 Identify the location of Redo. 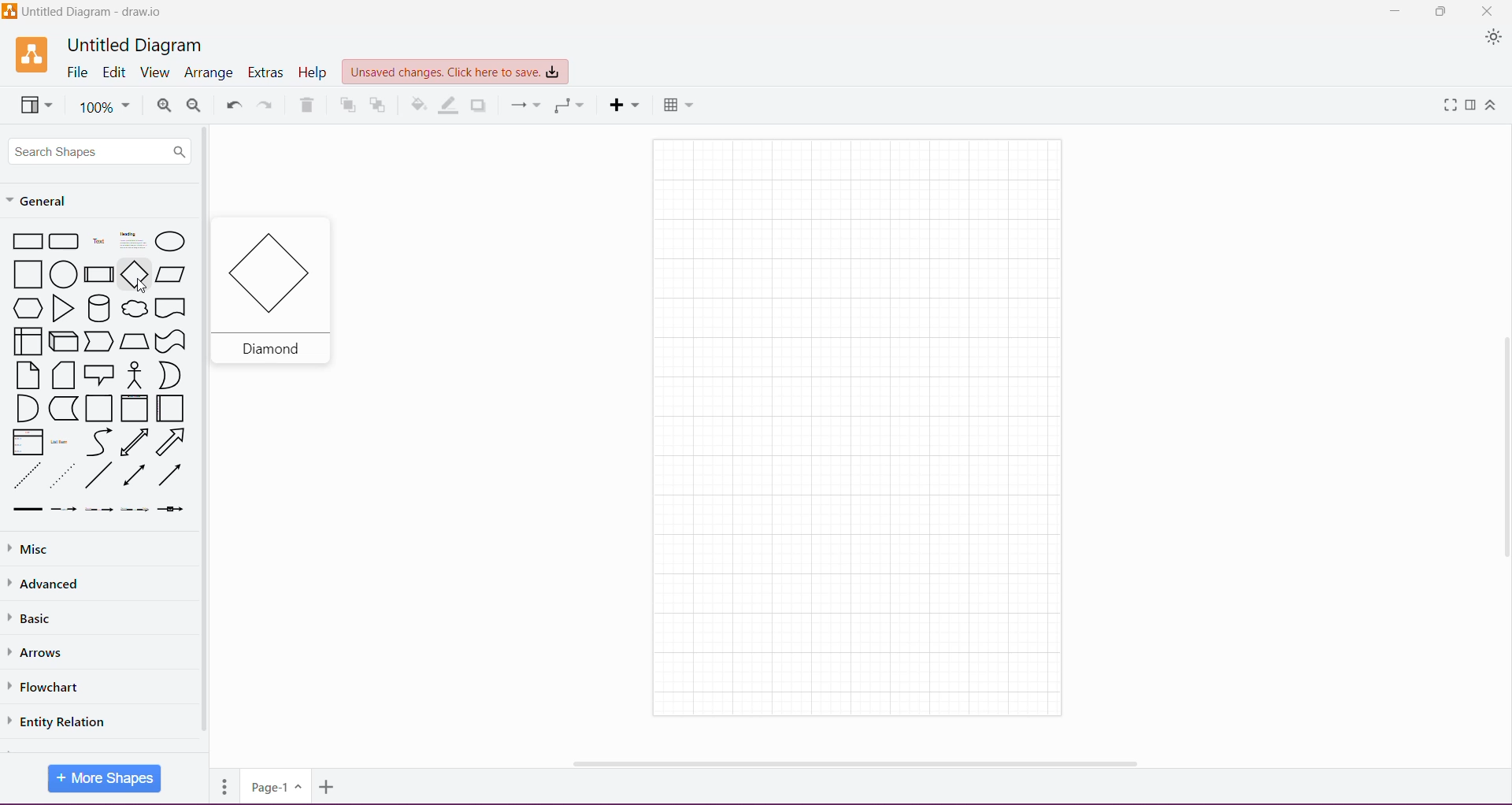
(269, 105).